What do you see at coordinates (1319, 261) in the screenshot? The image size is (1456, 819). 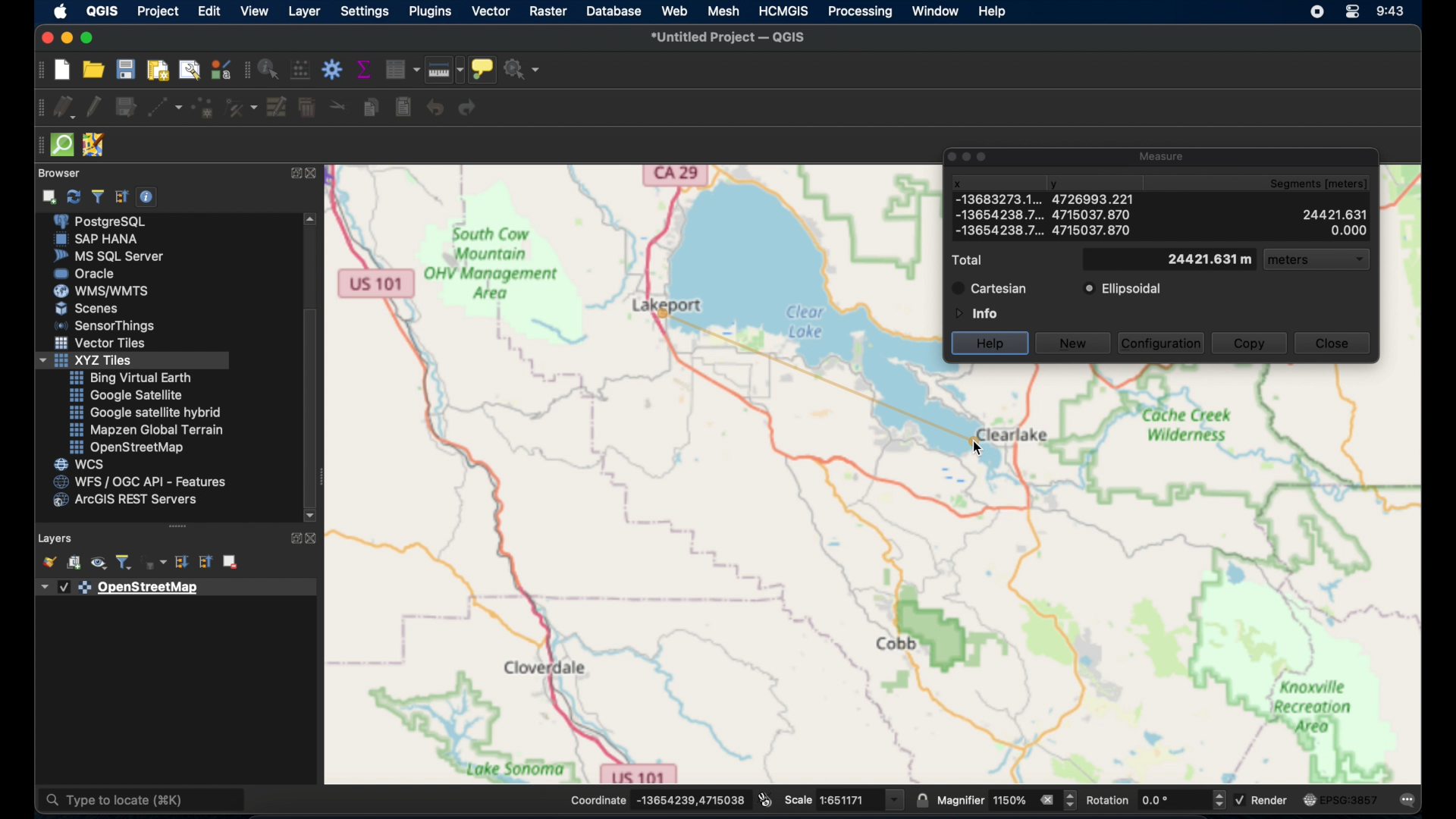 I see `meters drop down` at bounding box center [1319, 261].